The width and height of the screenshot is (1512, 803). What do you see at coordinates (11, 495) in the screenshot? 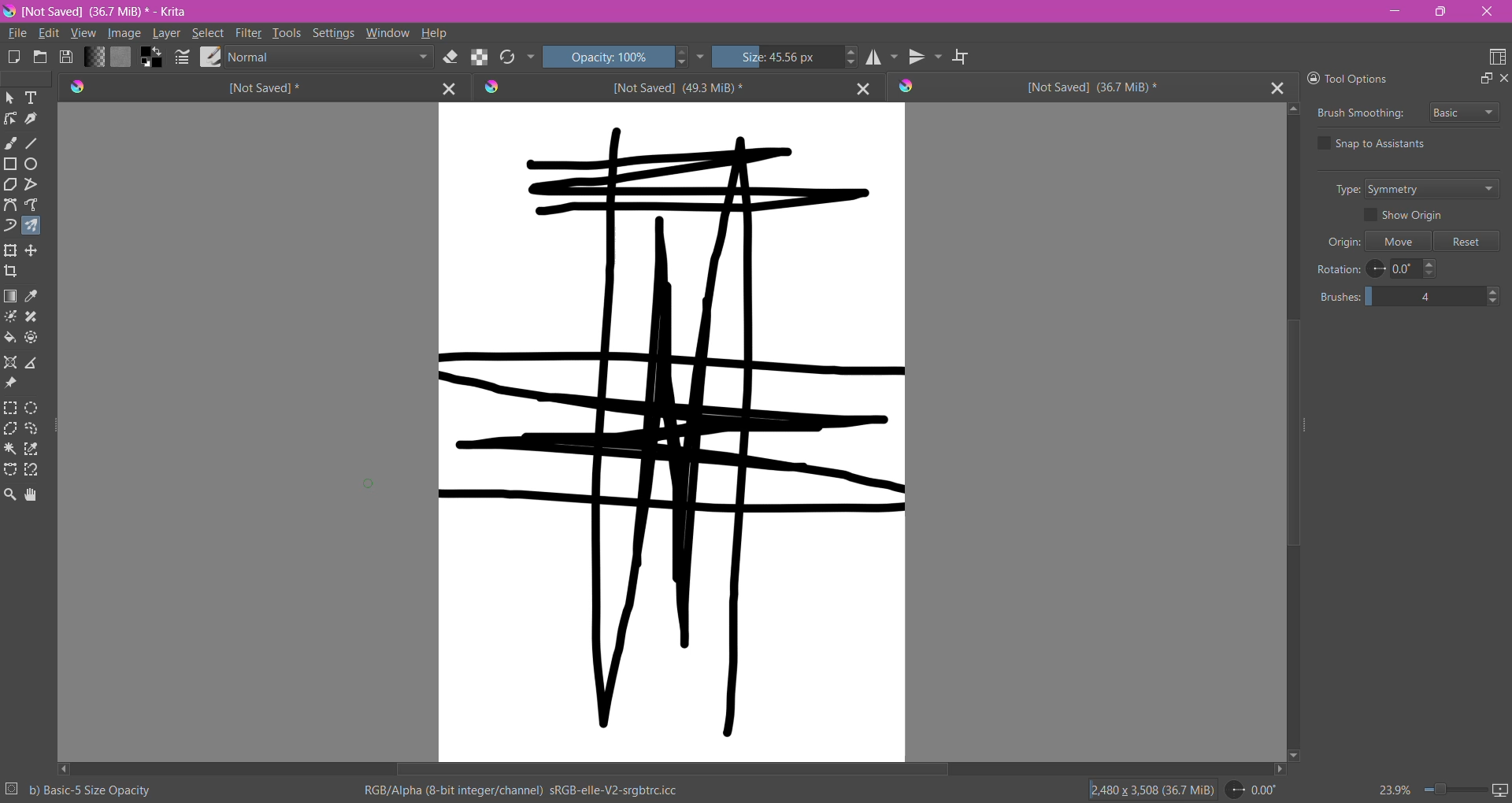
I see `Zoom Tool` at bounding box center [11, 495].